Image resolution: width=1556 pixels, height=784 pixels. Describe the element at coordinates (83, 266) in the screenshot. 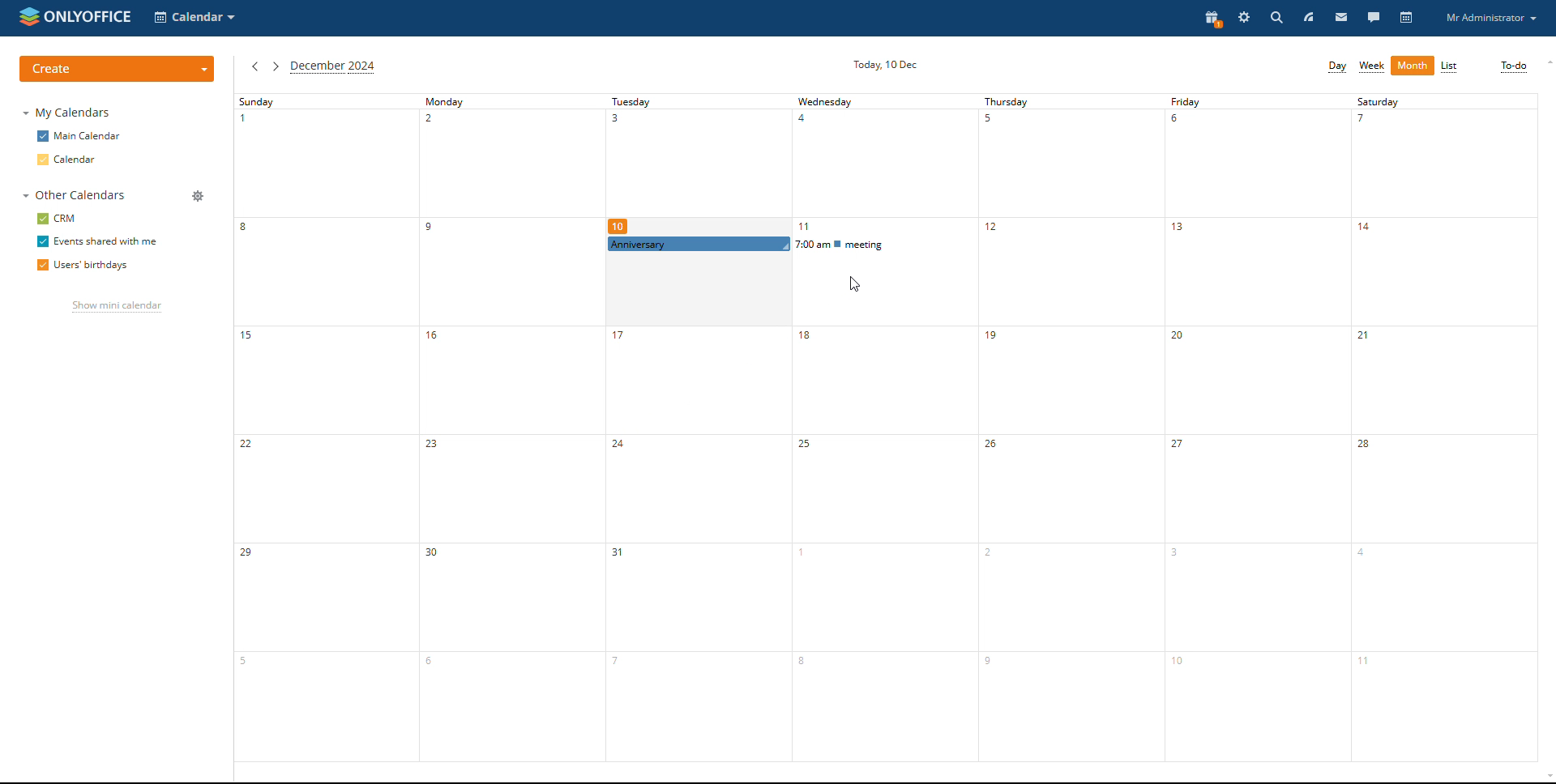

I see `users' birthdays` at that location.